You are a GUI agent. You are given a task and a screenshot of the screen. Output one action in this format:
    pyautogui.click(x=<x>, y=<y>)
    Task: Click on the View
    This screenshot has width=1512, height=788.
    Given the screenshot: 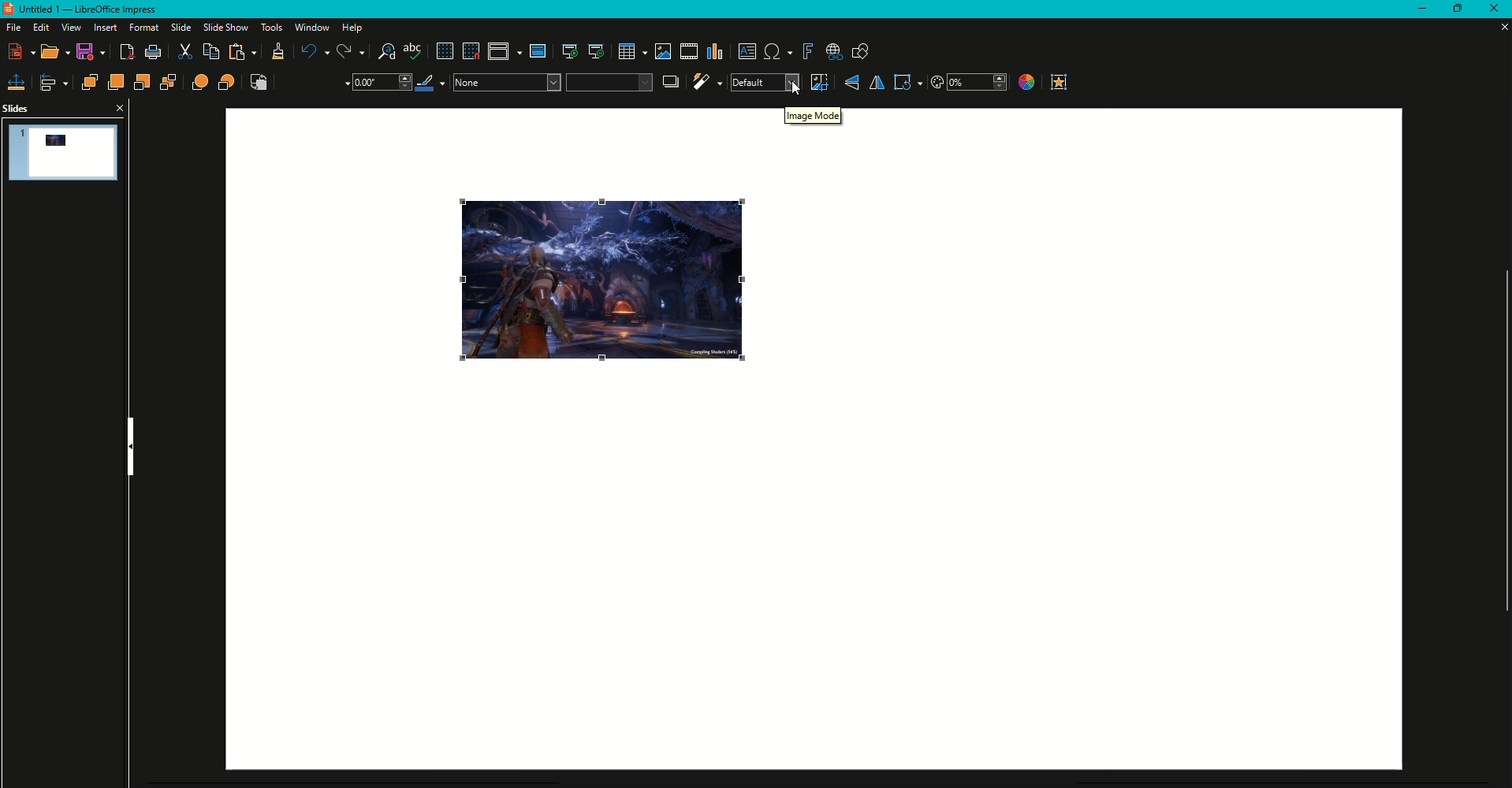 What is the action you would take?
    pyautogui.click(x=69, y=28)
    